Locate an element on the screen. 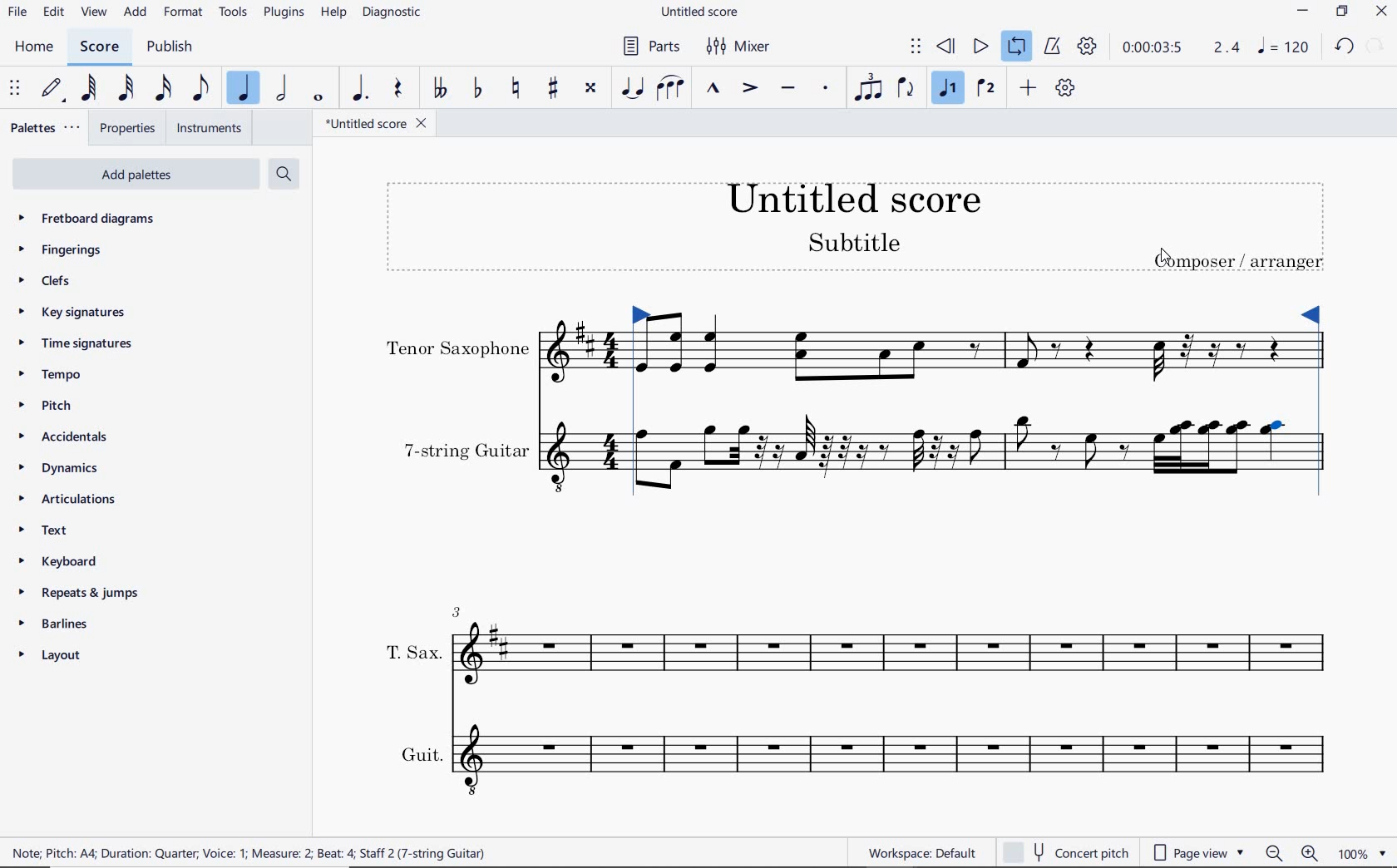  TOGGLE SHARP is located at coordinates (554, 87).